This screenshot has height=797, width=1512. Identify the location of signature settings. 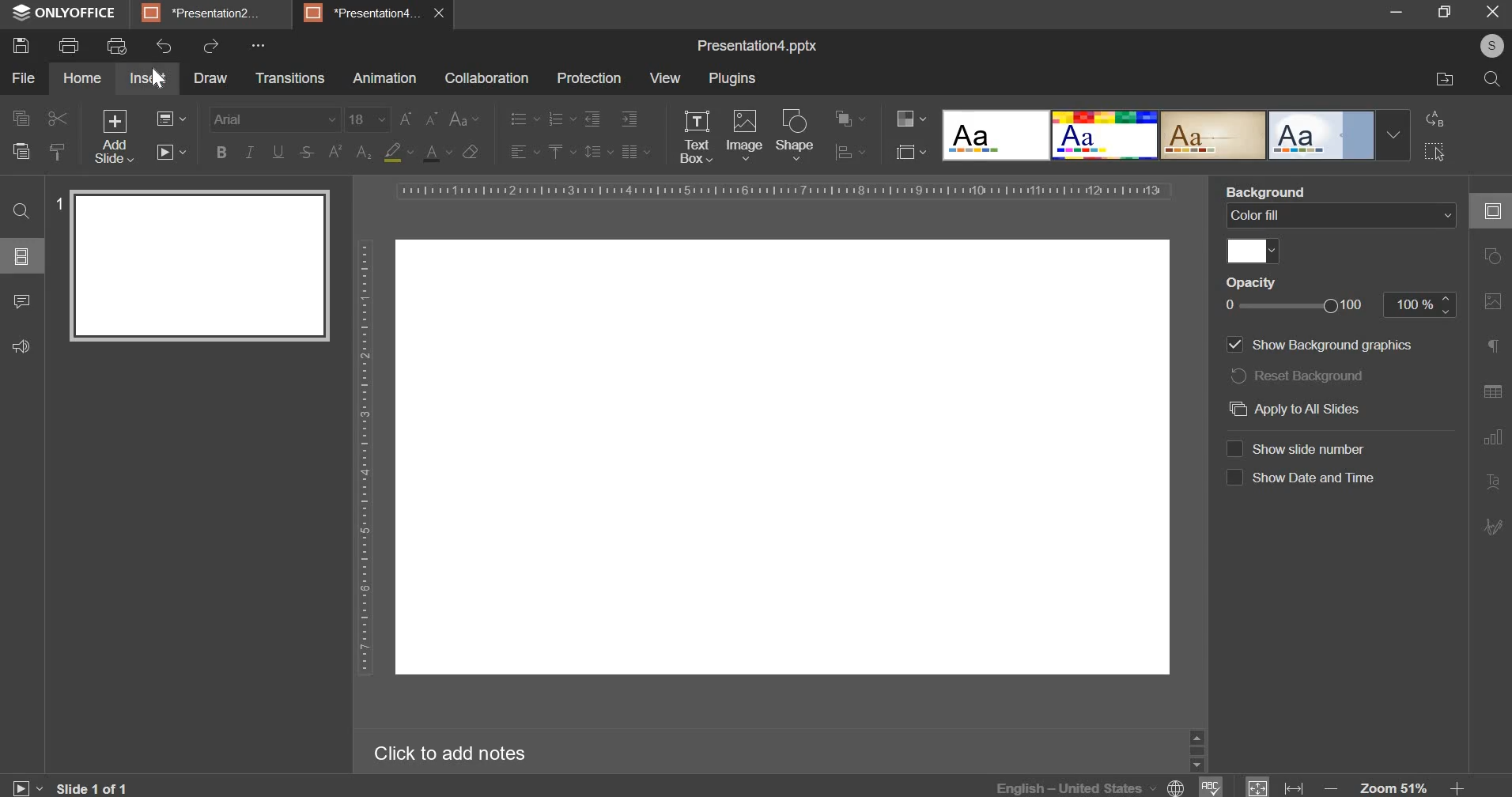
(1495, 527).